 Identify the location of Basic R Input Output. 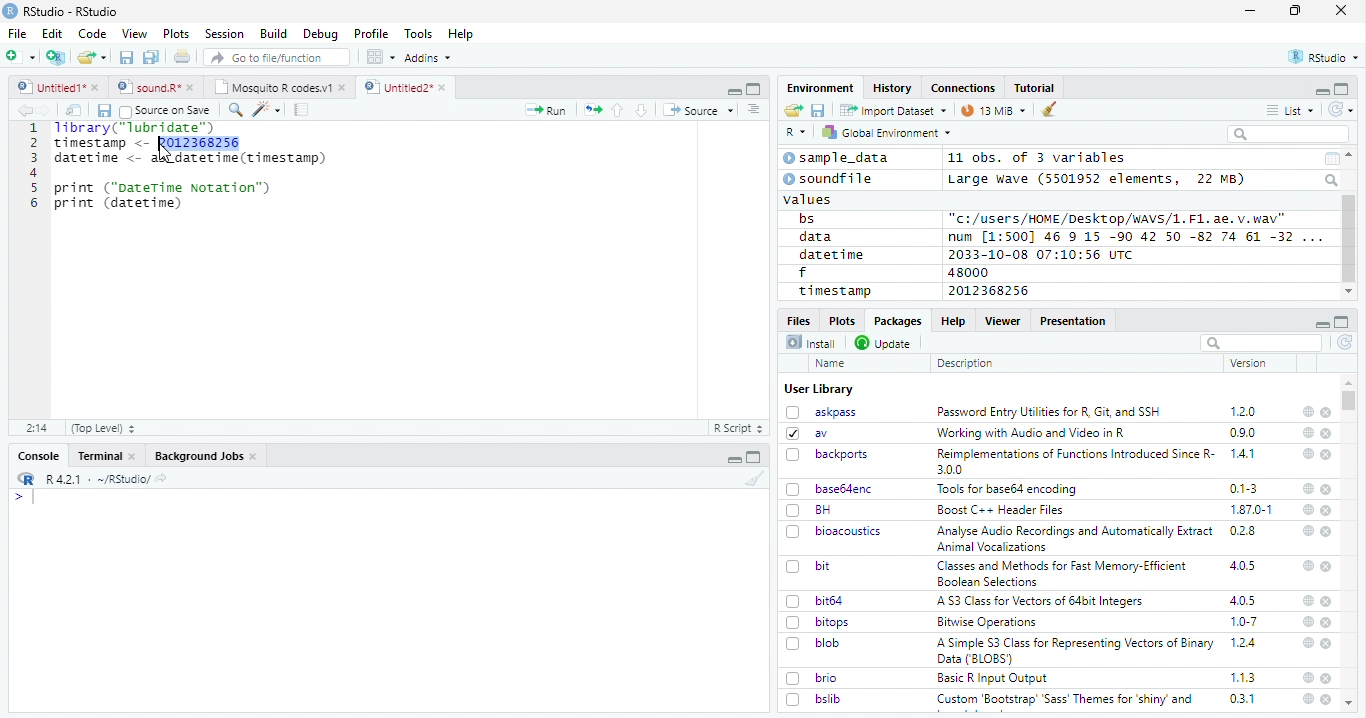
(995, 678).